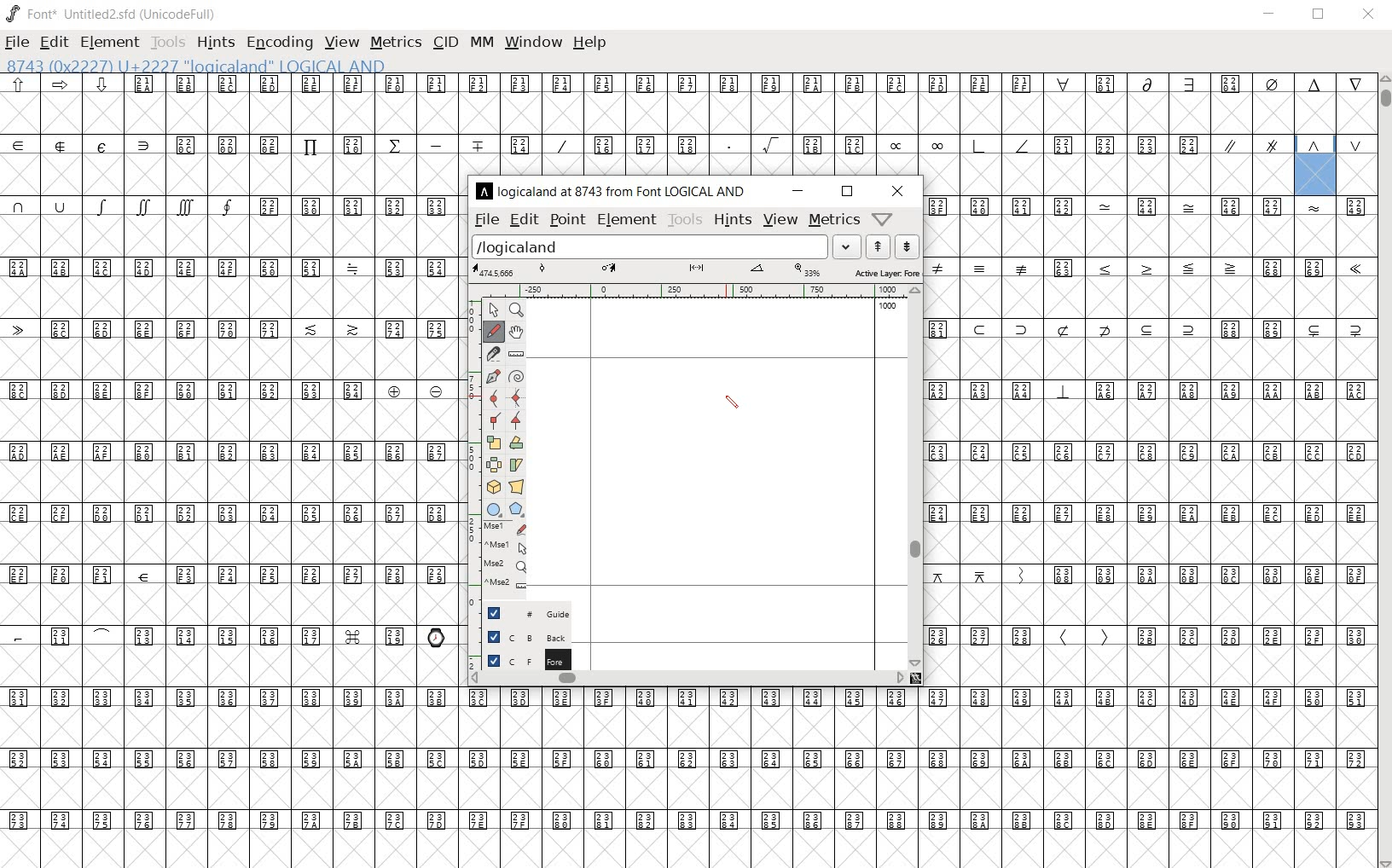 The height and width of the screenshot is (868, 1392). What do you see at coordinates (520, 443) in the screenshot?
I see `flip the selection` at bounding box center [520, 443].